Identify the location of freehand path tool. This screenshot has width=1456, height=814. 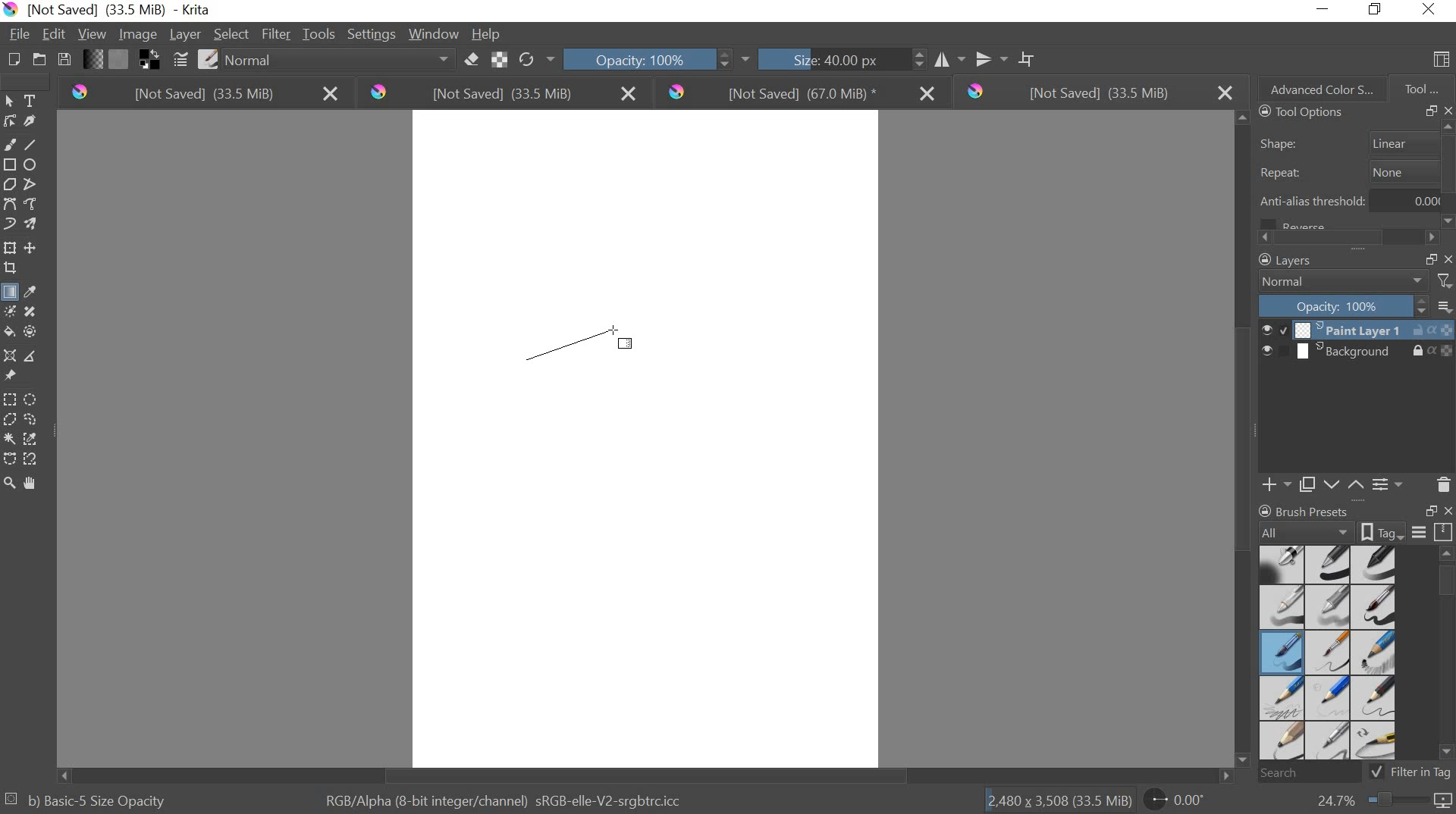
(35, 205).